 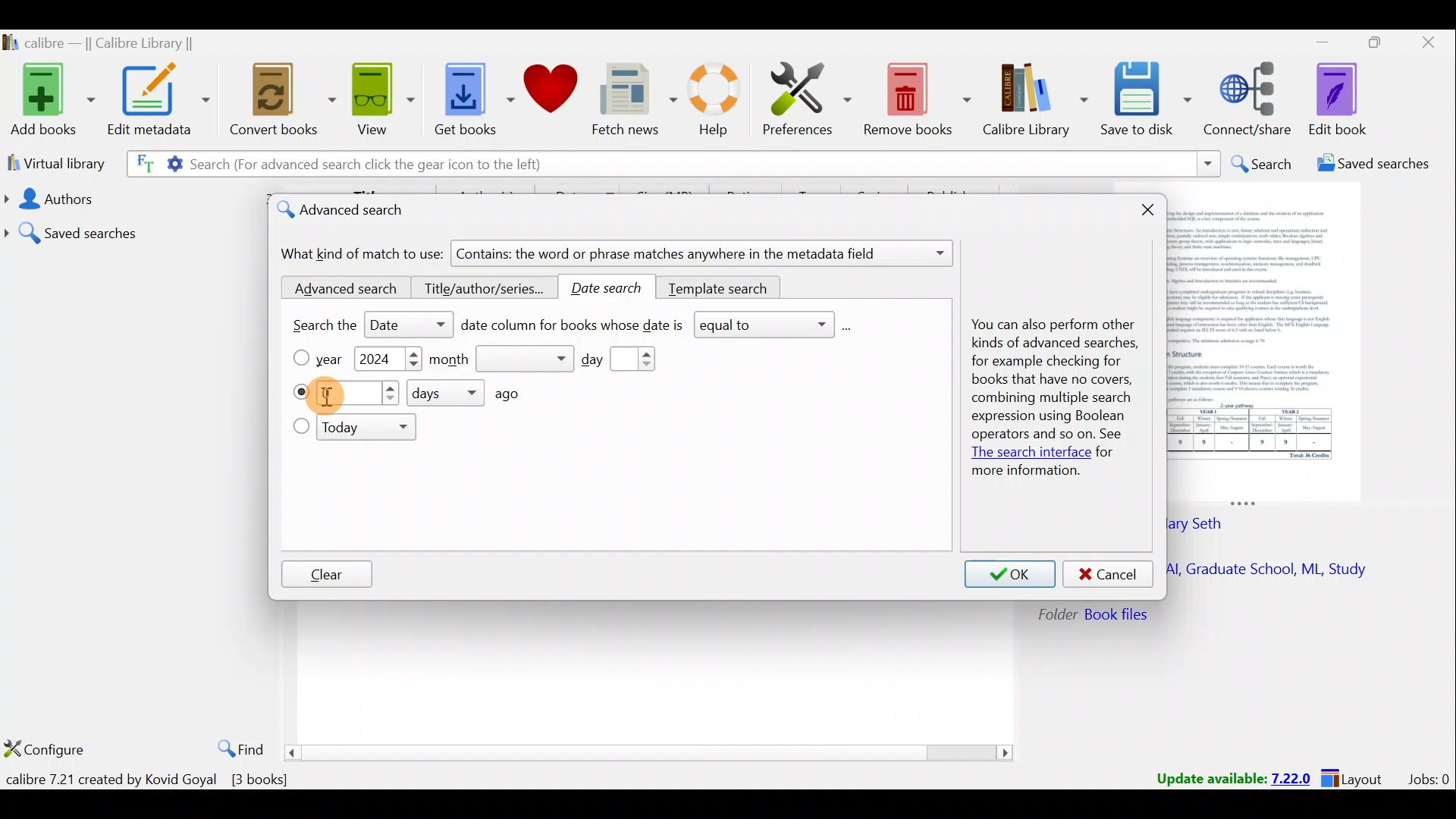 What do you see at coordinates (1357, 777) in the screenshot?
I see `Layout` at bounding box center [1357, 777].